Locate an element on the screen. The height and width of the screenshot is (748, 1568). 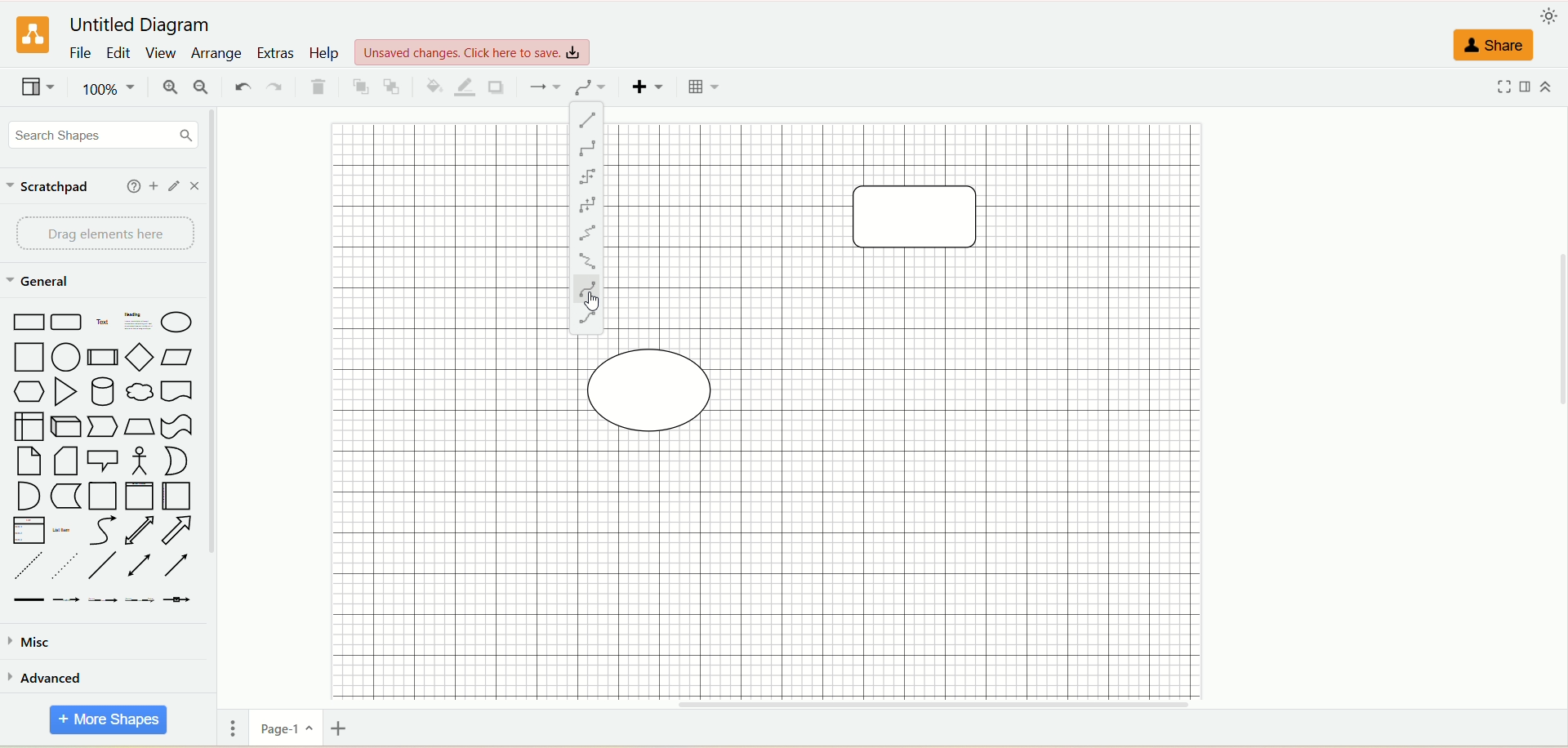
straight is located at coordinates (589, 120).